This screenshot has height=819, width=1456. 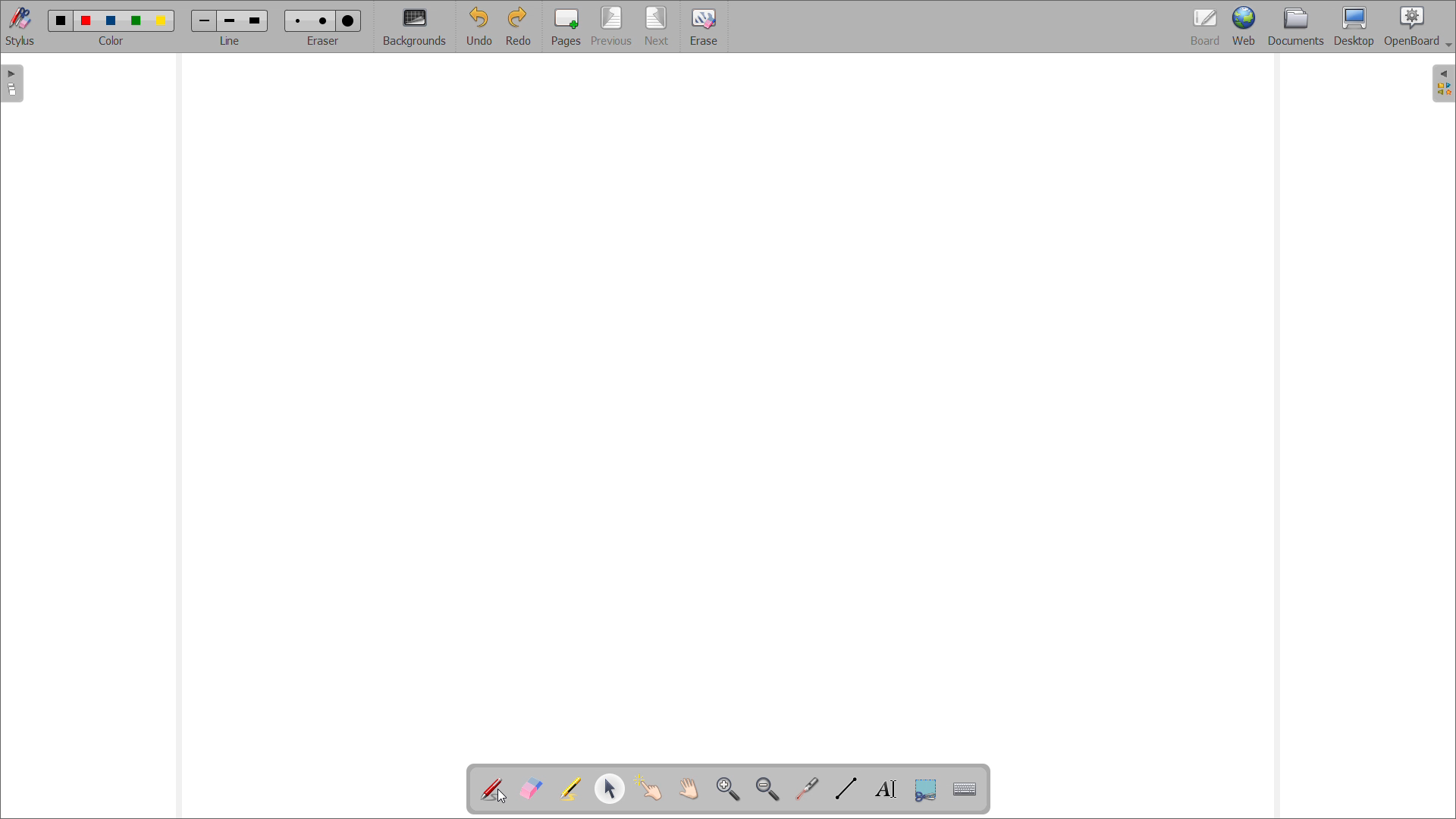 What do you see at coordinates (255, 20) in the screenshot?
I see `line width size` at bounding box center [255, 20].